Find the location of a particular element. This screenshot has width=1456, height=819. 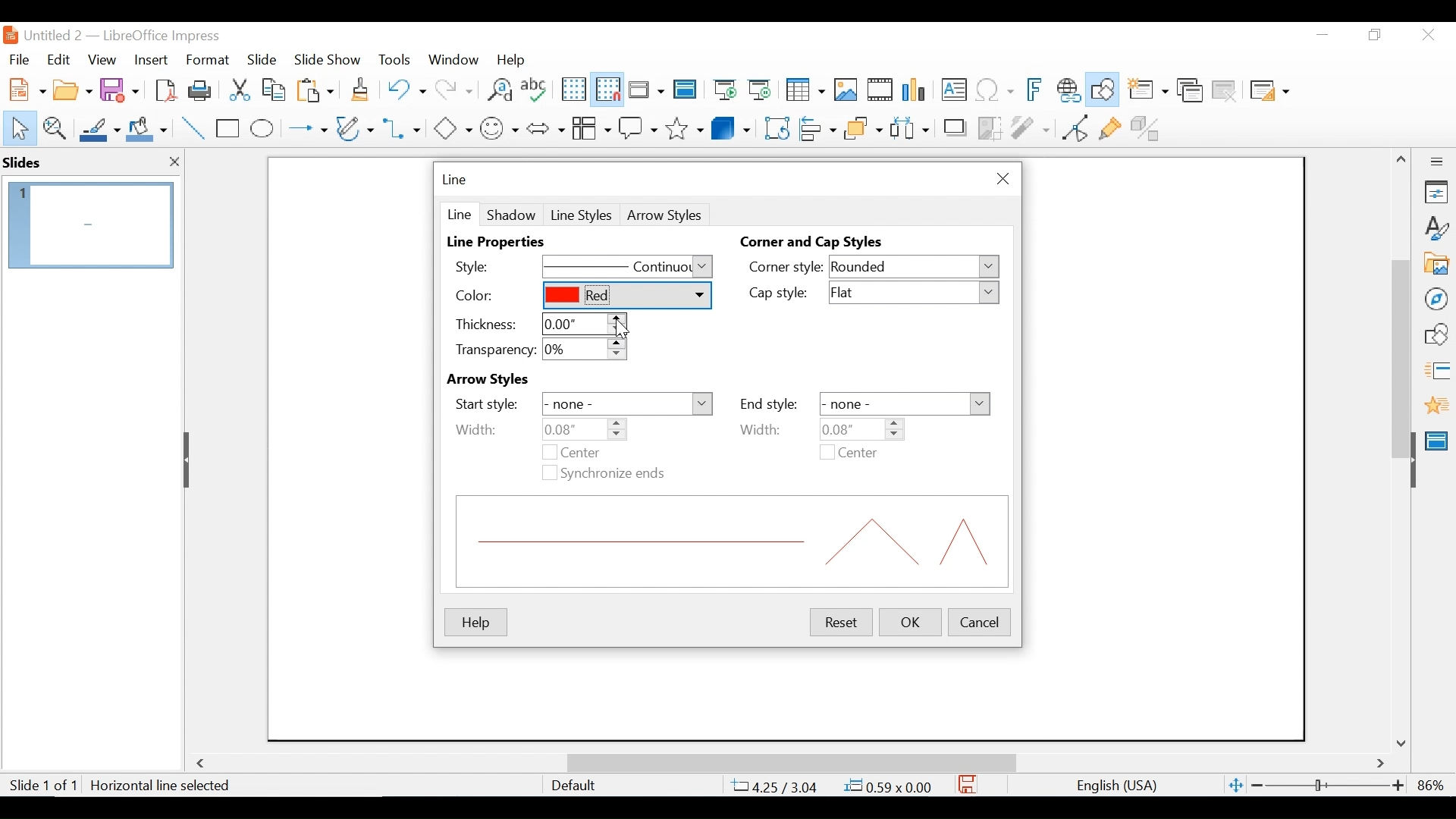

Corner style is located at coordinates (786, 266).